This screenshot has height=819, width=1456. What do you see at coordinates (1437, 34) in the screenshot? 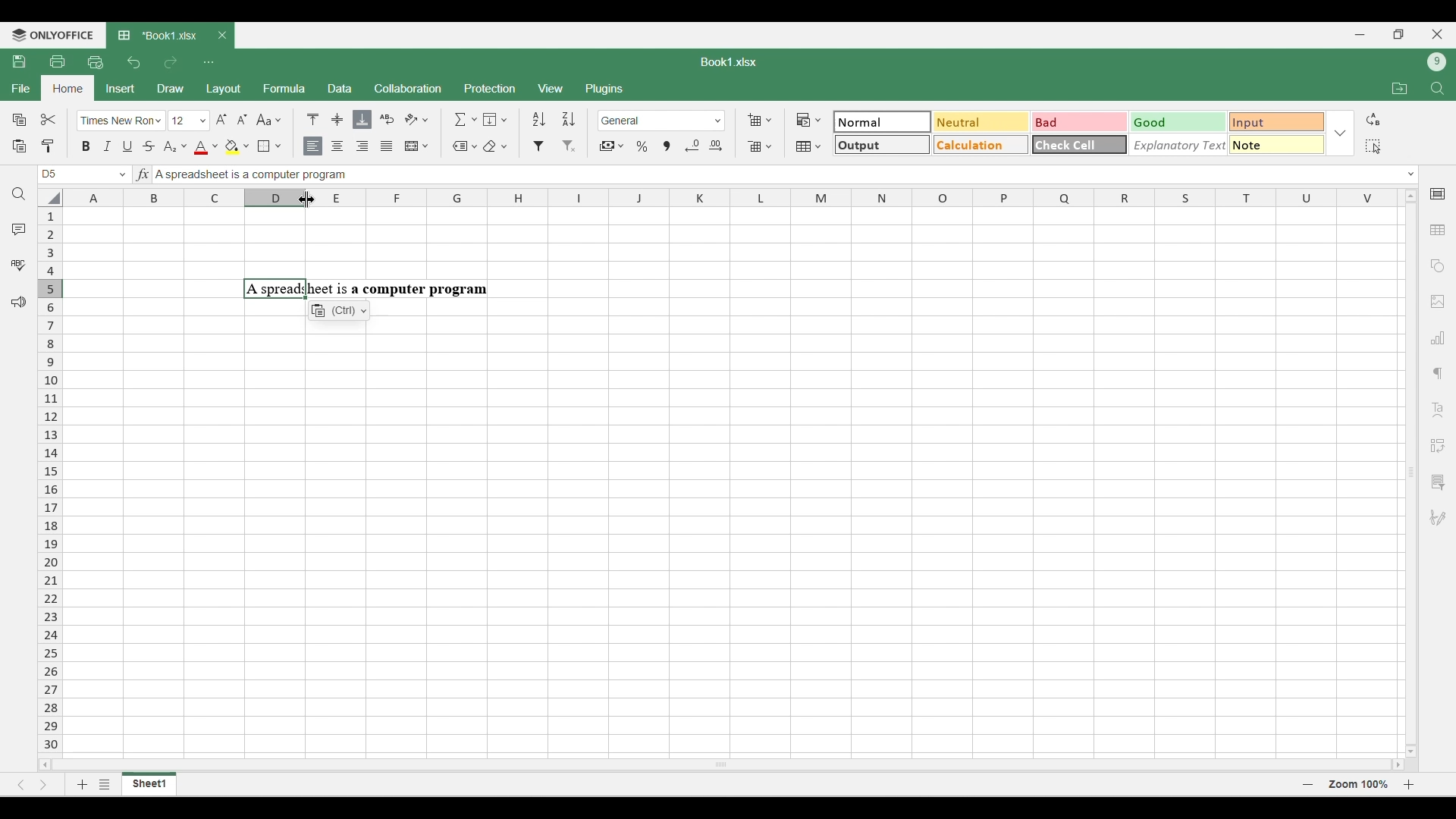
I see `Close interface` at bounding box center [1437, 34].